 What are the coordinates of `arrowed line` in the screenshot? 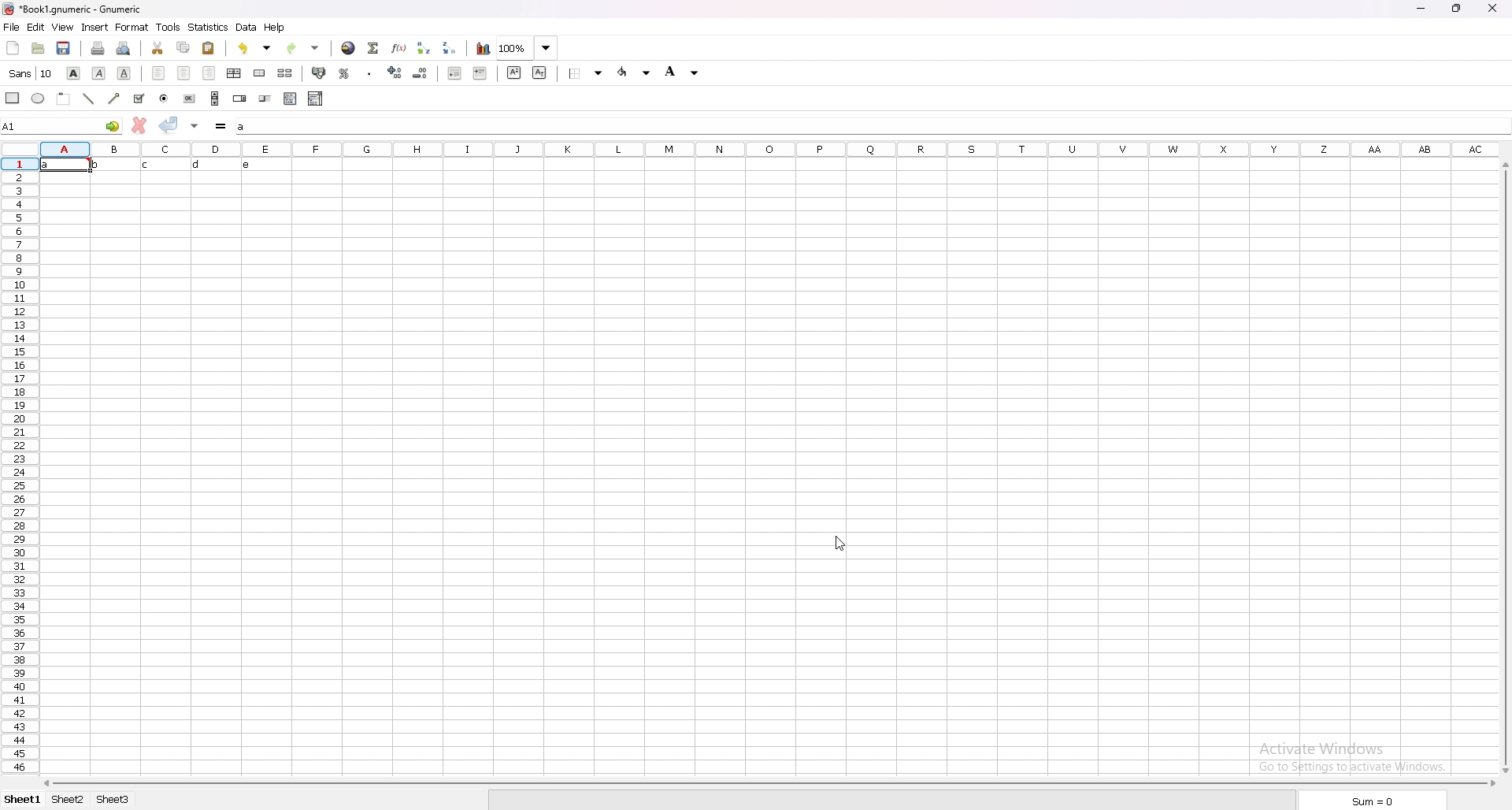 It's located at (117, 98).